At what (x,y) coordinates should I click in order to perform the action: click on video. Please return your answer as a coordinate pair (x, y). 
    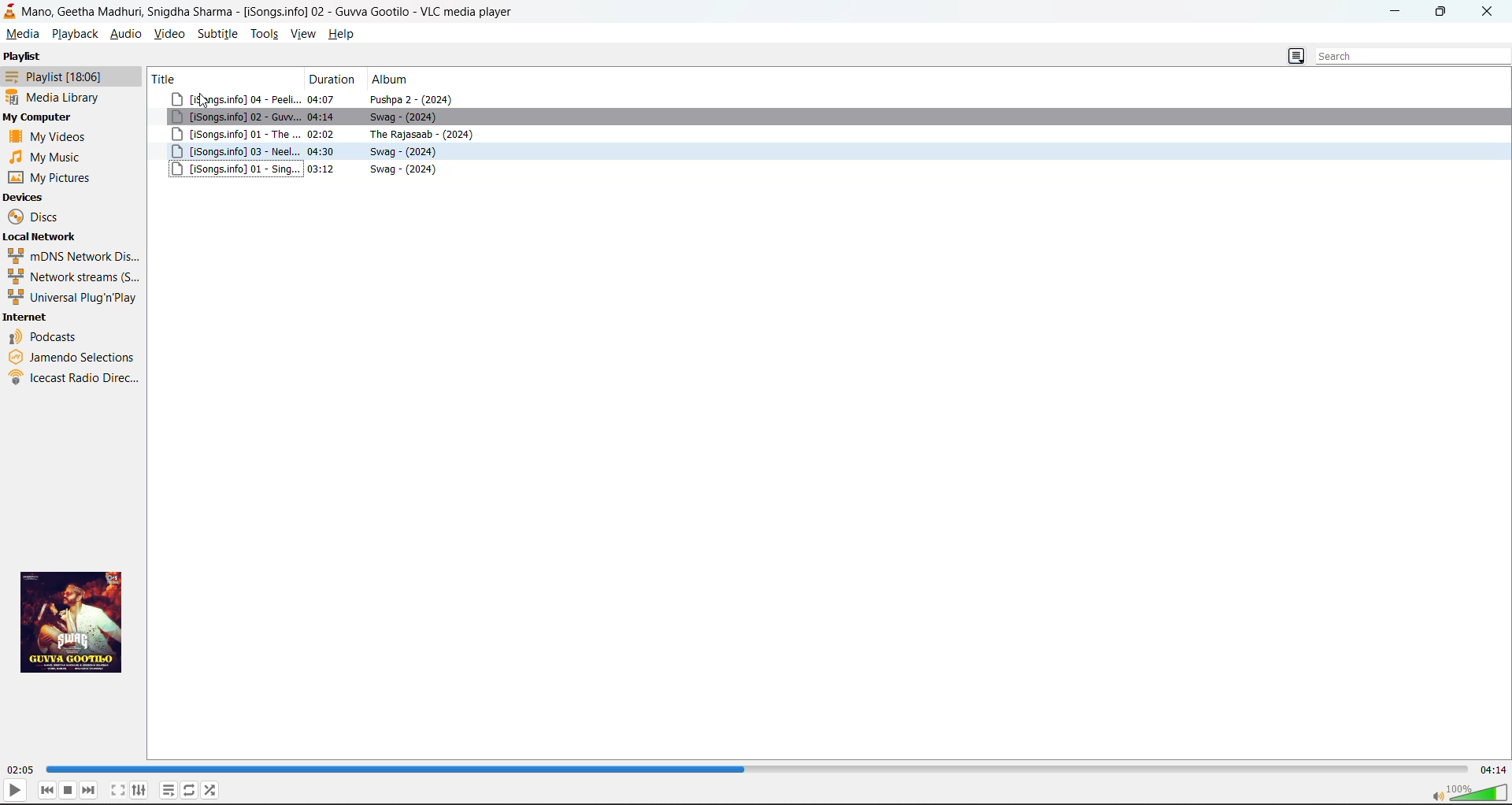
    Looking at the image, I should click on (169, 33).